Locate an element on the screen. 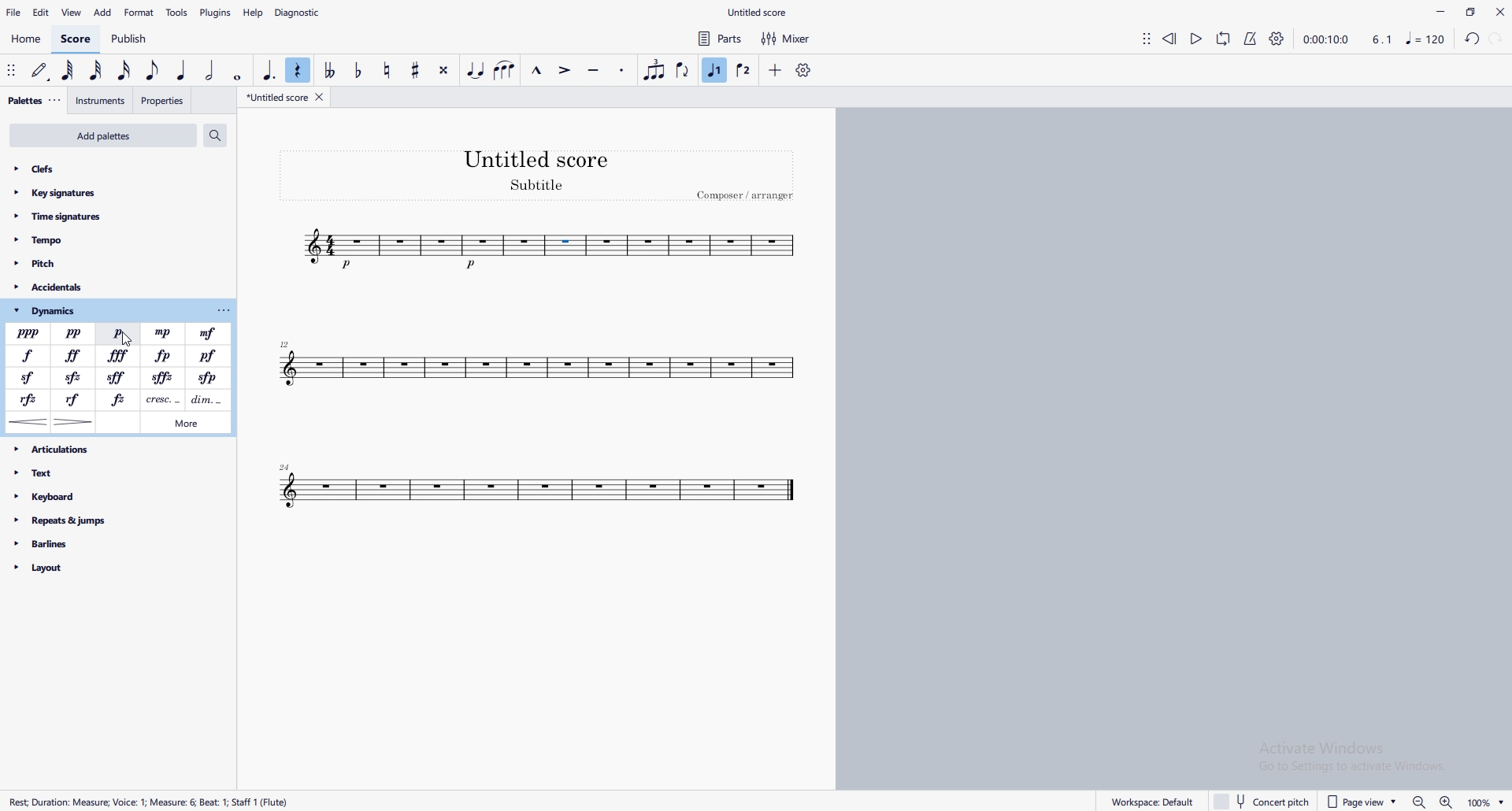 The height and width of the screenshot is (811, 1512). articulations is located at coordinates (102, 450).